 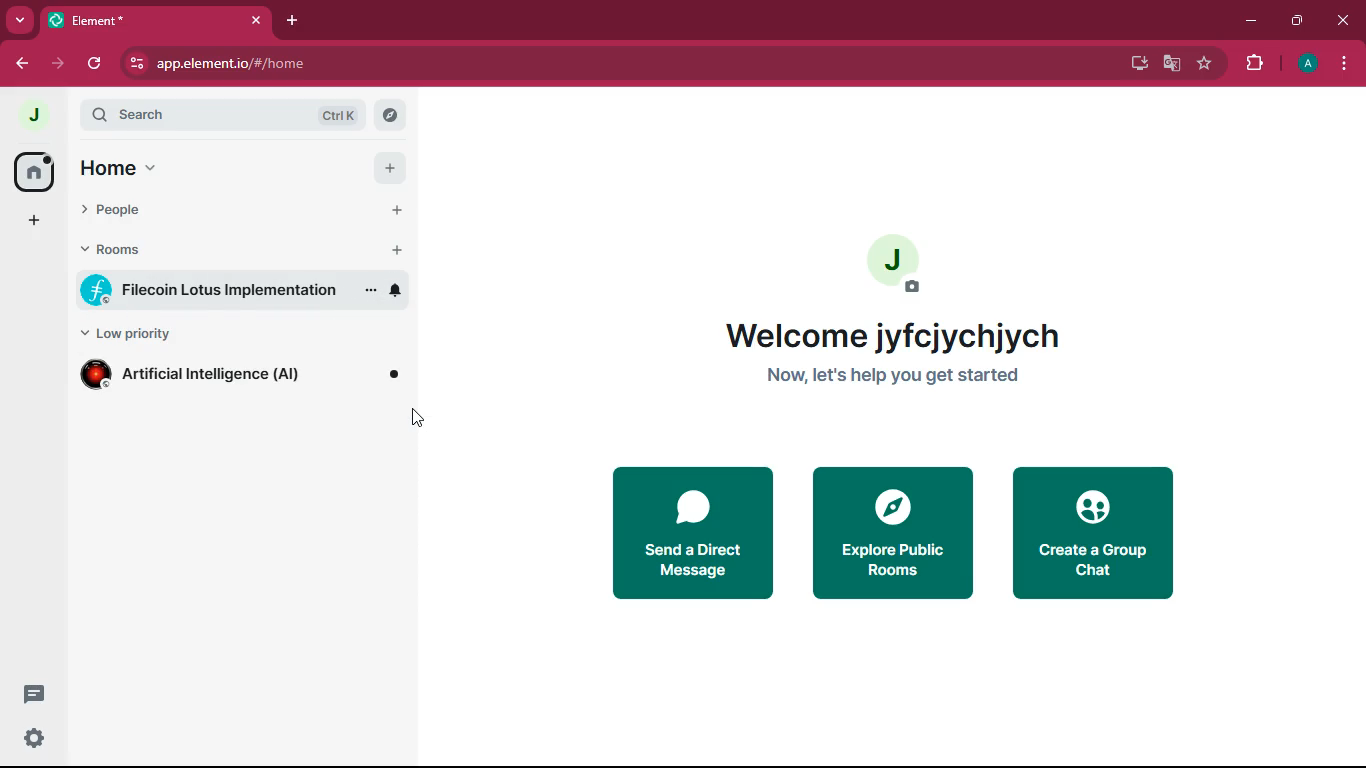 I want to click on add rooms, so click(x=400, y=250).